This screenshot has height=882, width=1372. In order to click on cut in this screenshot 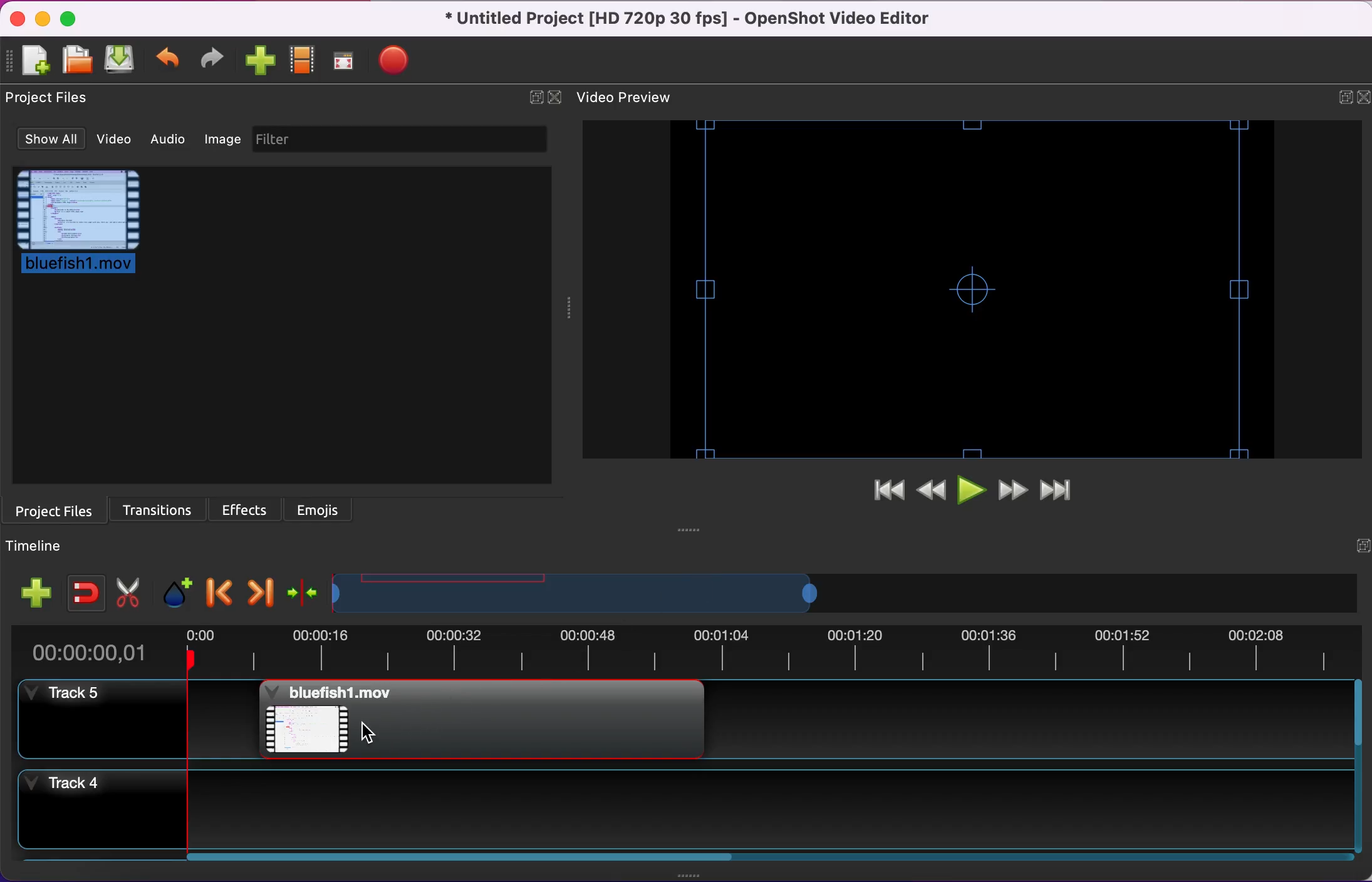, I will do `click(133, 591)`.